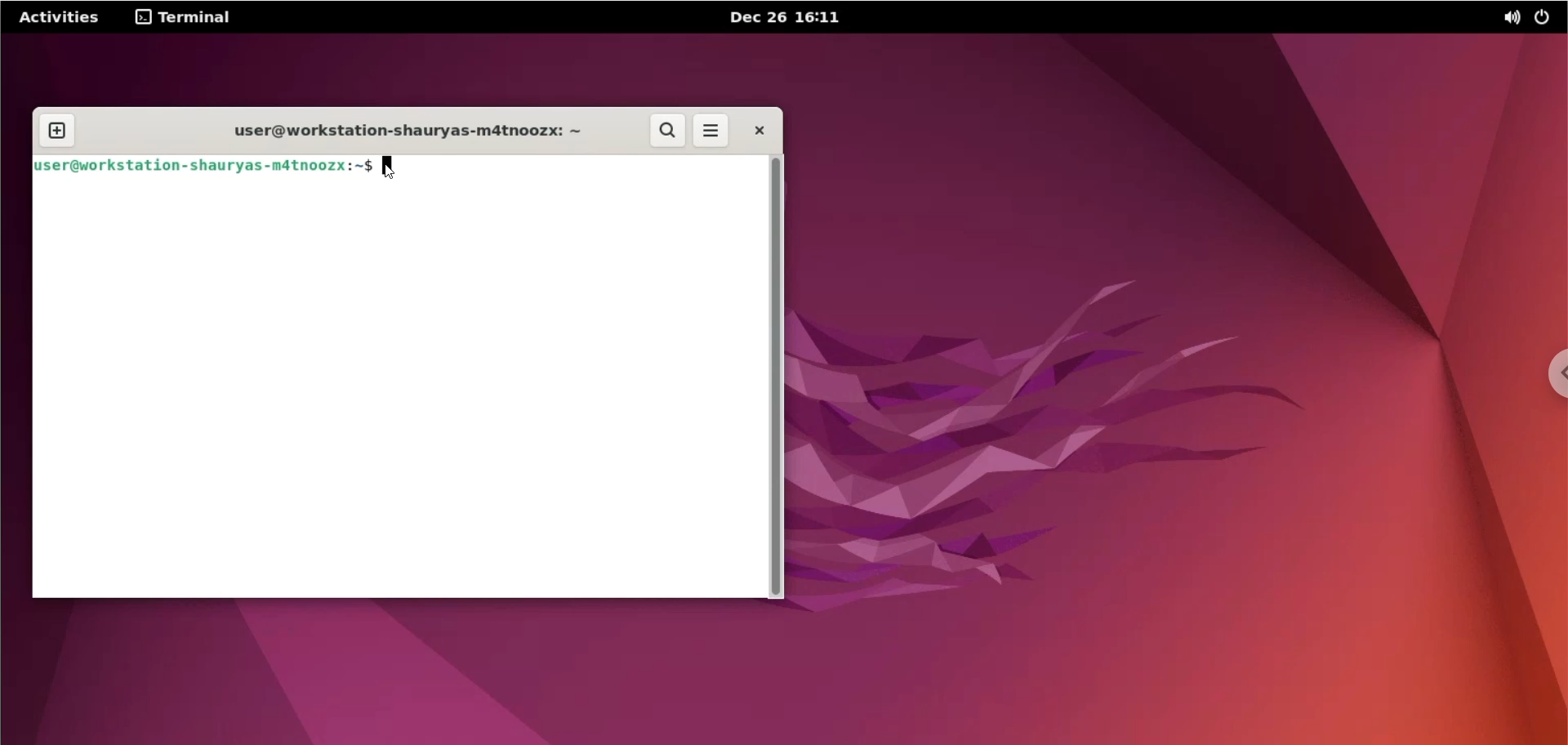  I want to click on power options, so click(1549, 18).